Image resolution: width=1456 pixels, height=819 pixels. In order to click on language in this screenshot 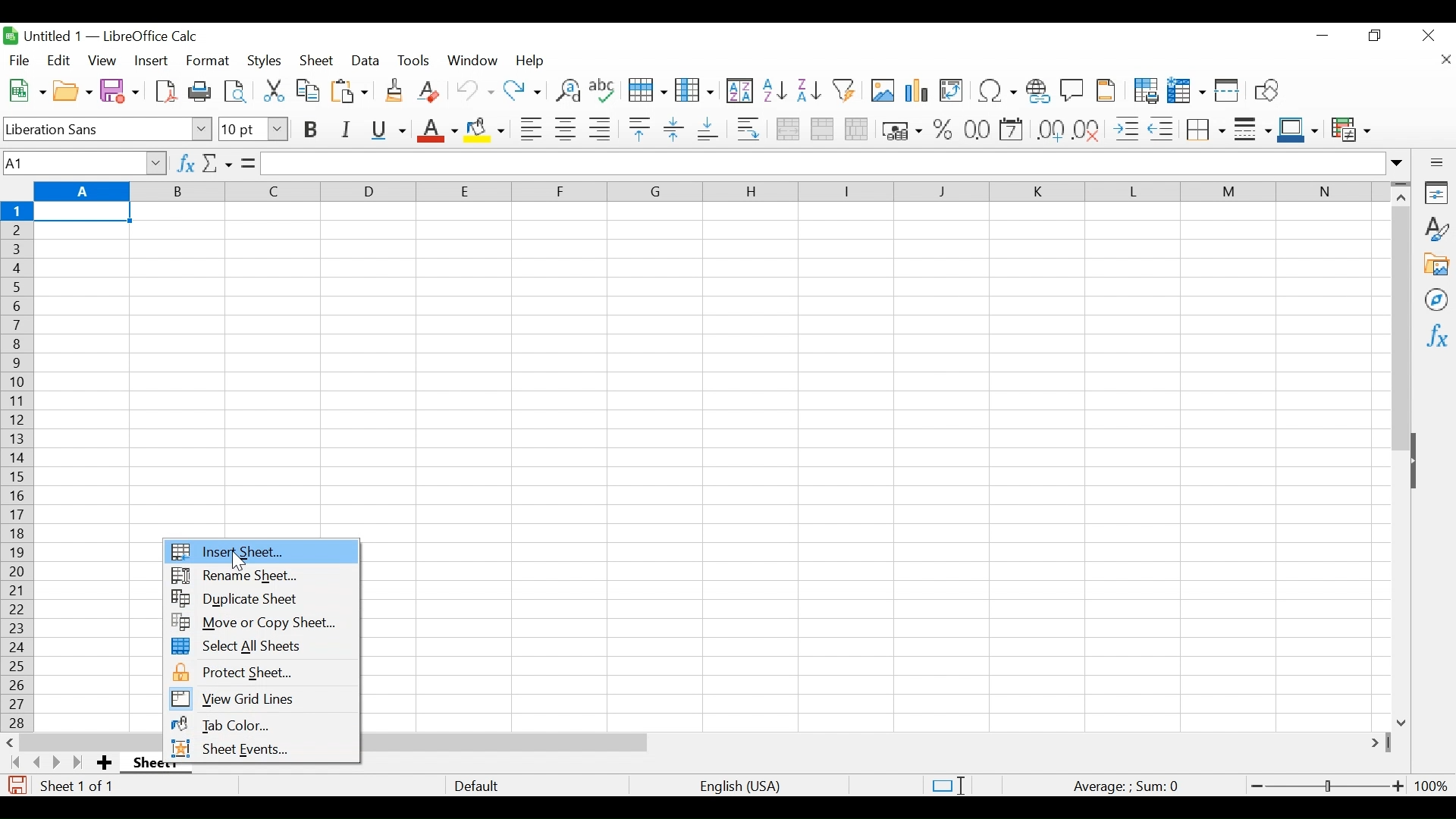, I will do `click(741, 786)`.